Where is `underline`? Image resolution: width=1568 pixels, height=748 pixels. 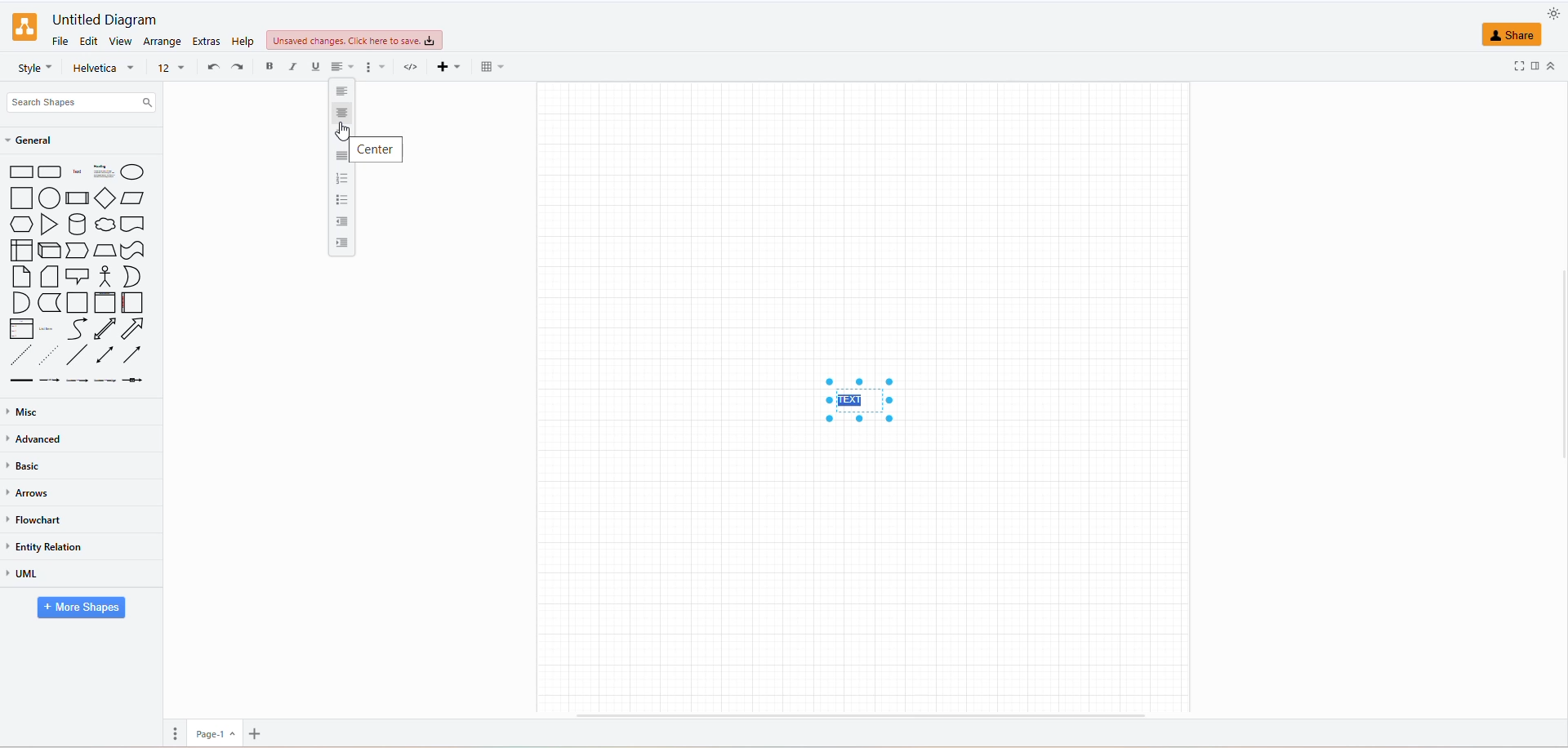
underline is located at coordinates (315, 65).